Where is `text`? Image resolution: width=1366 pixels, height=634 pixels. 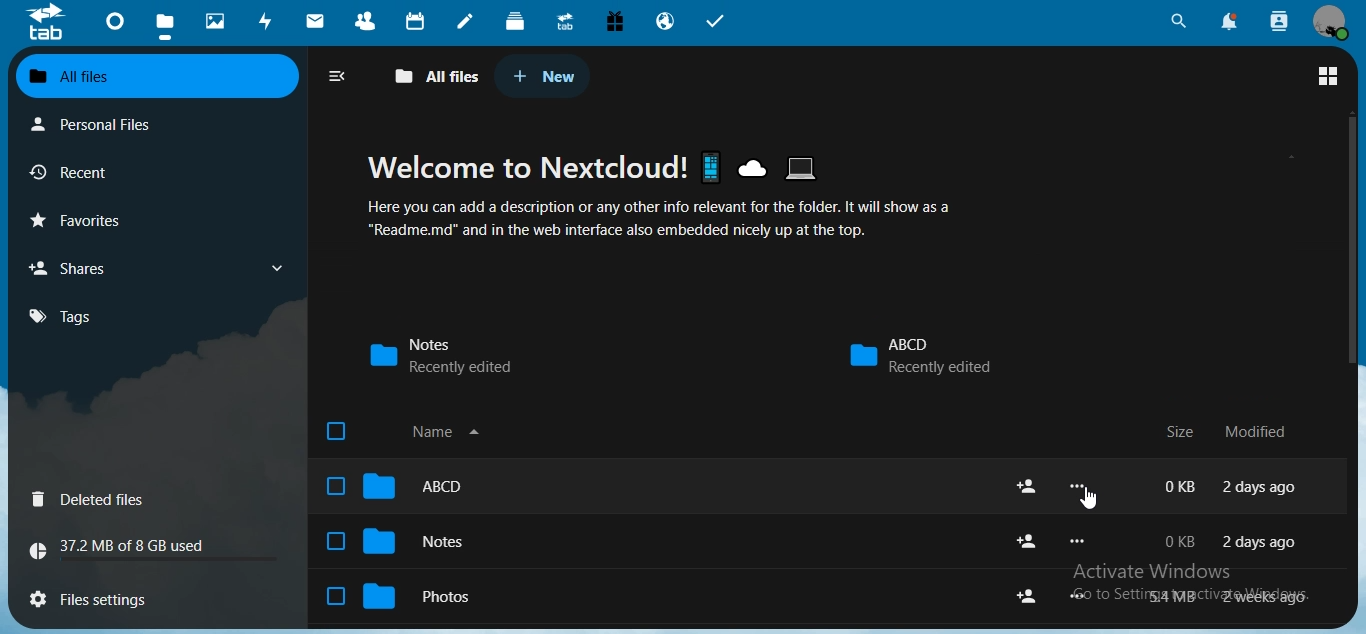 text is located at coordinates (1231, 596).